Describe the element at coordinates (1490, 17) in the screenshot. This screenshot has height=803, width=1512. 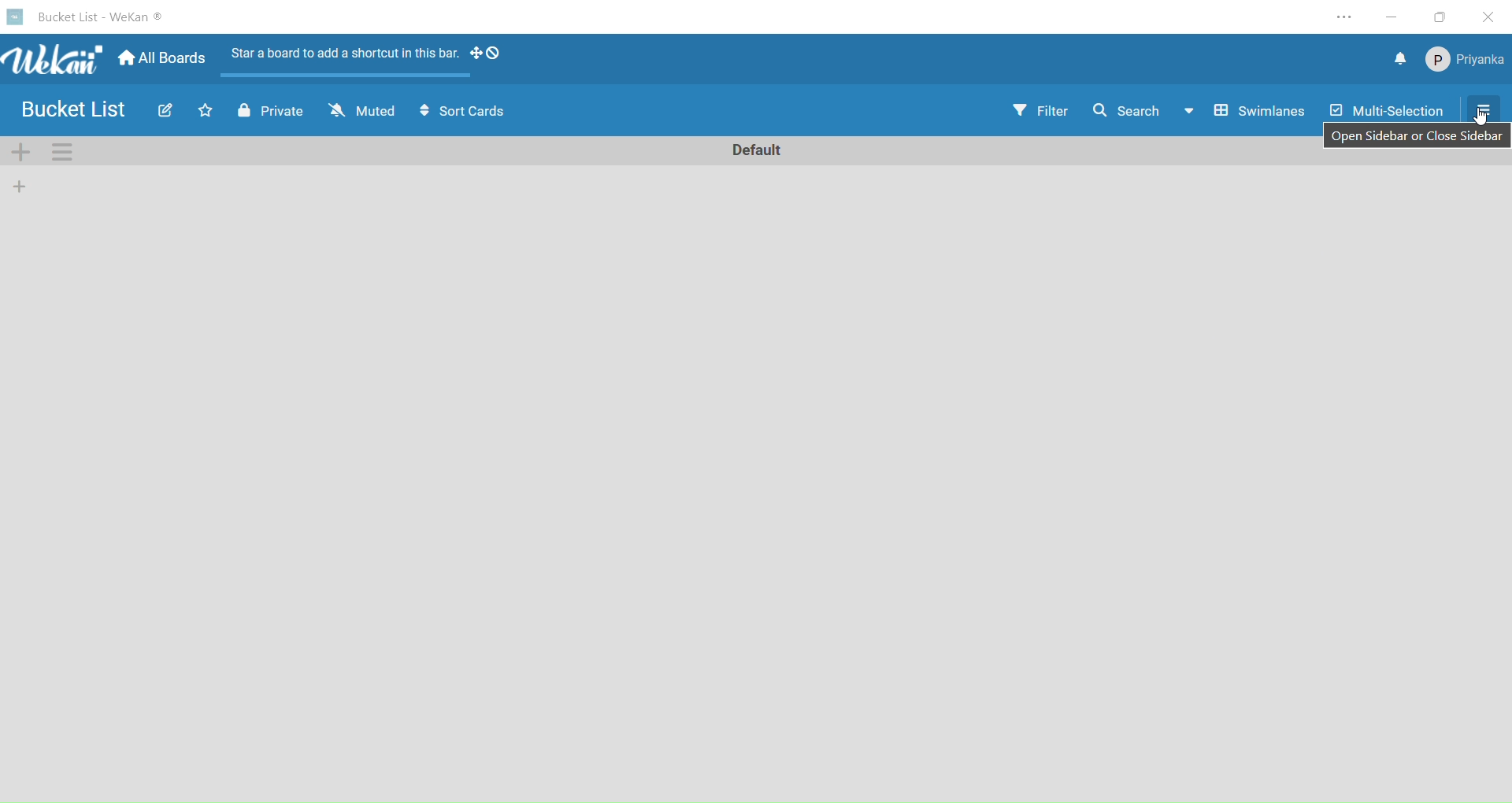
I see `close` at that location.